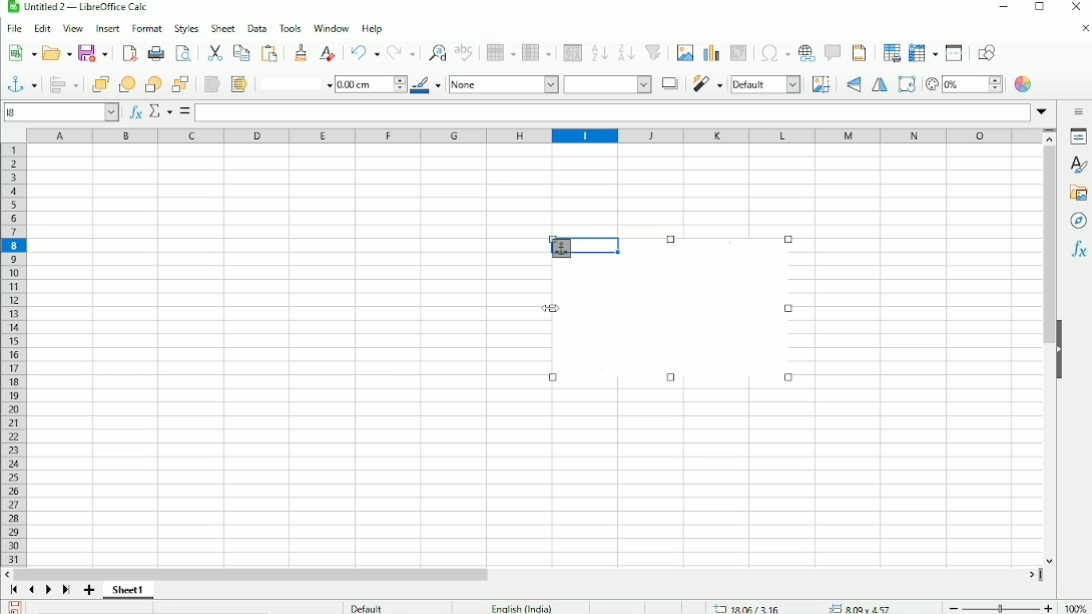 The width and height of the screenshot is (1092, 614). I want to click on Clear direct formatting, so click(327, 52).